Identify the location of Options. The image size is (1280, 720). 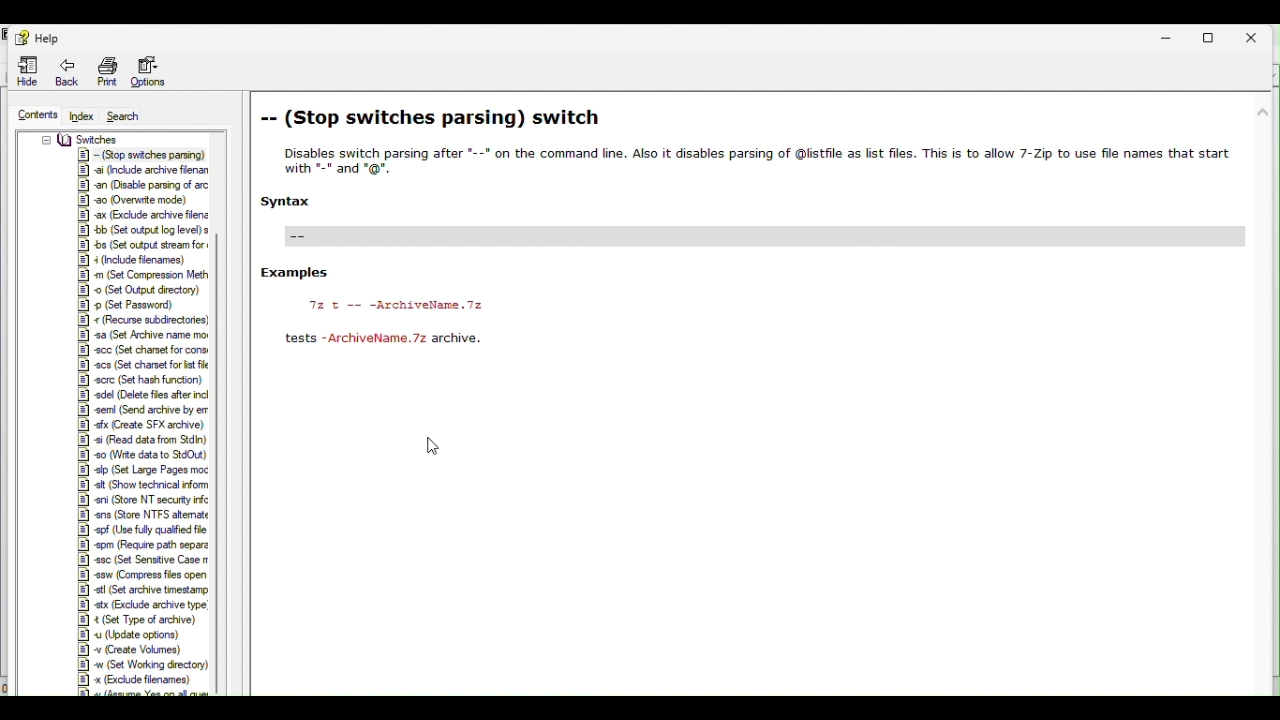
(153, 73).